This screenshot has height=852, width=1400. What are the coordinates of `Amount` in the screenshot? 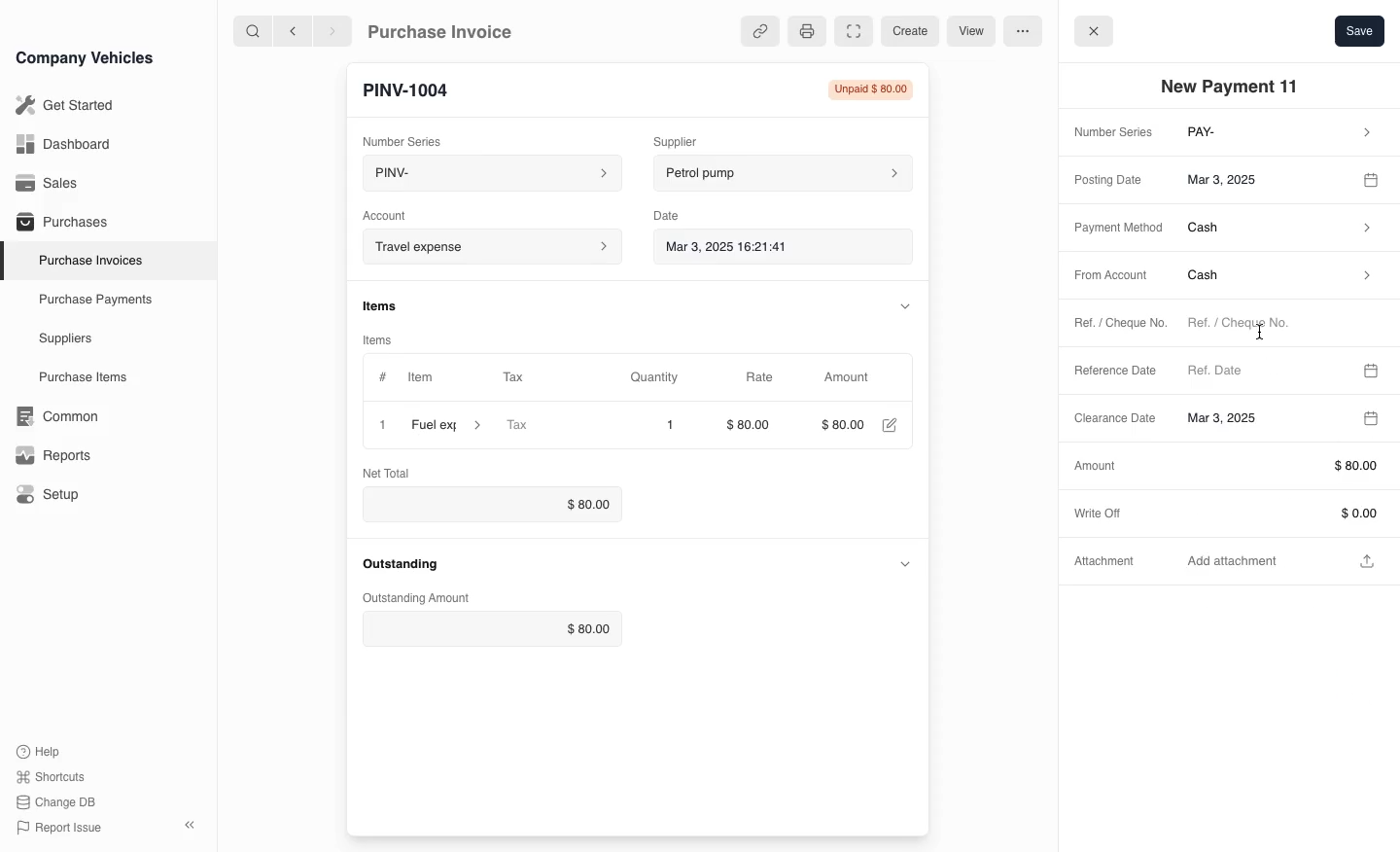 It's located at (849, 377).